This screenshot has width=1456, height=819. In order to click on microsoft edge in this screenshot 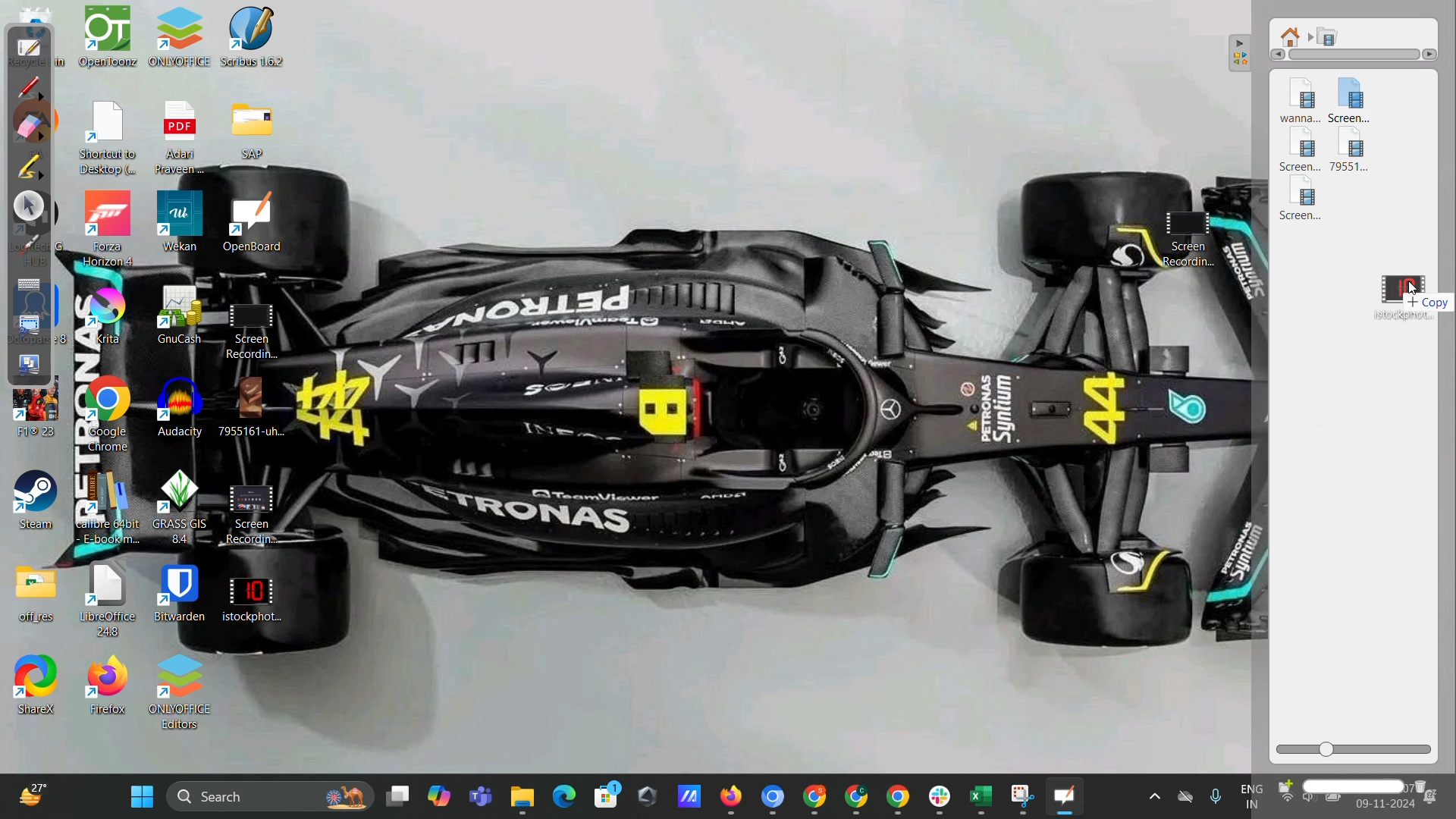, I will do `click(560, 799)`.